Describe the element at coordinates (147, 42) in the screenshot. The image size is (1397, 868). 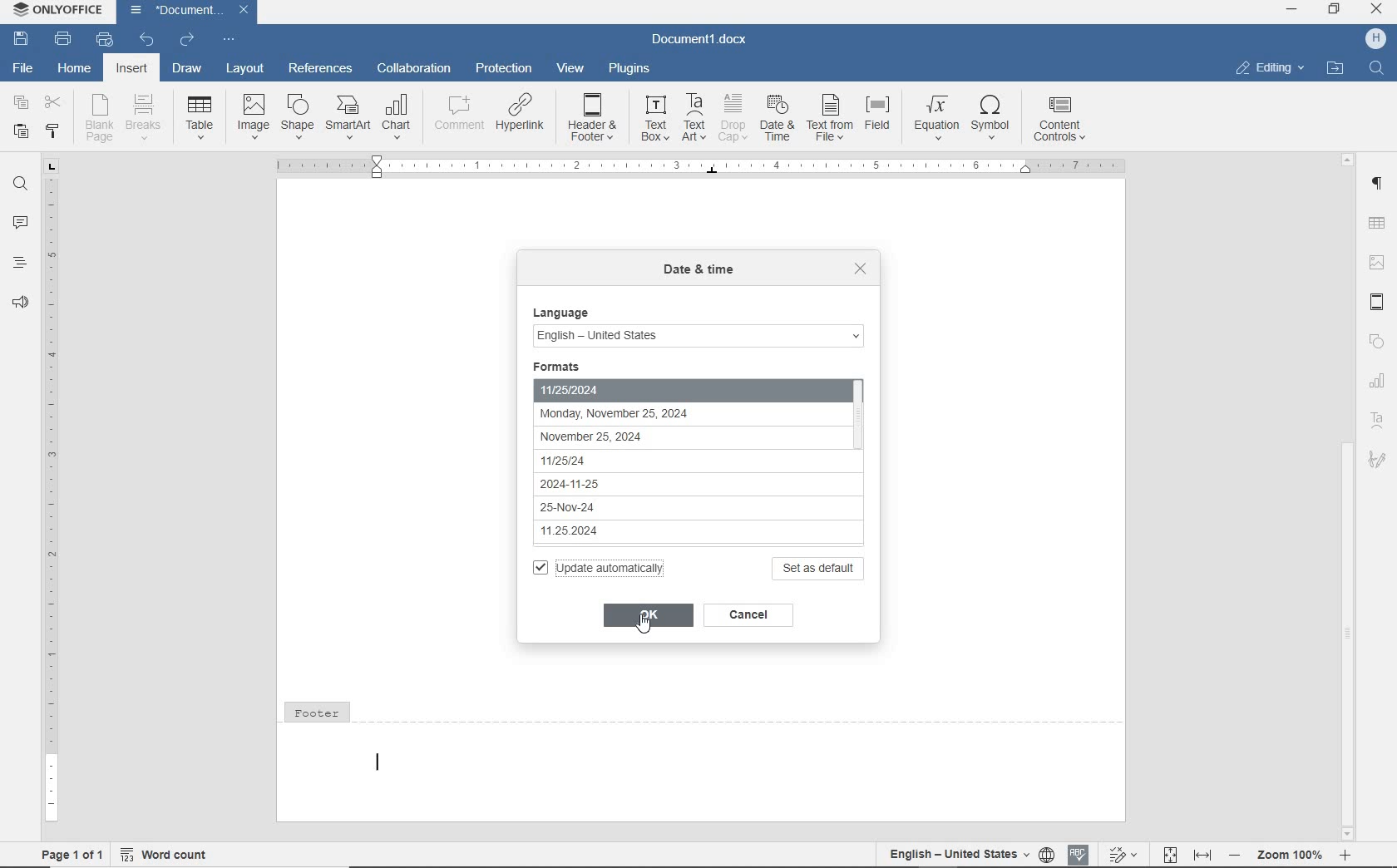
I see `undo` at that location.